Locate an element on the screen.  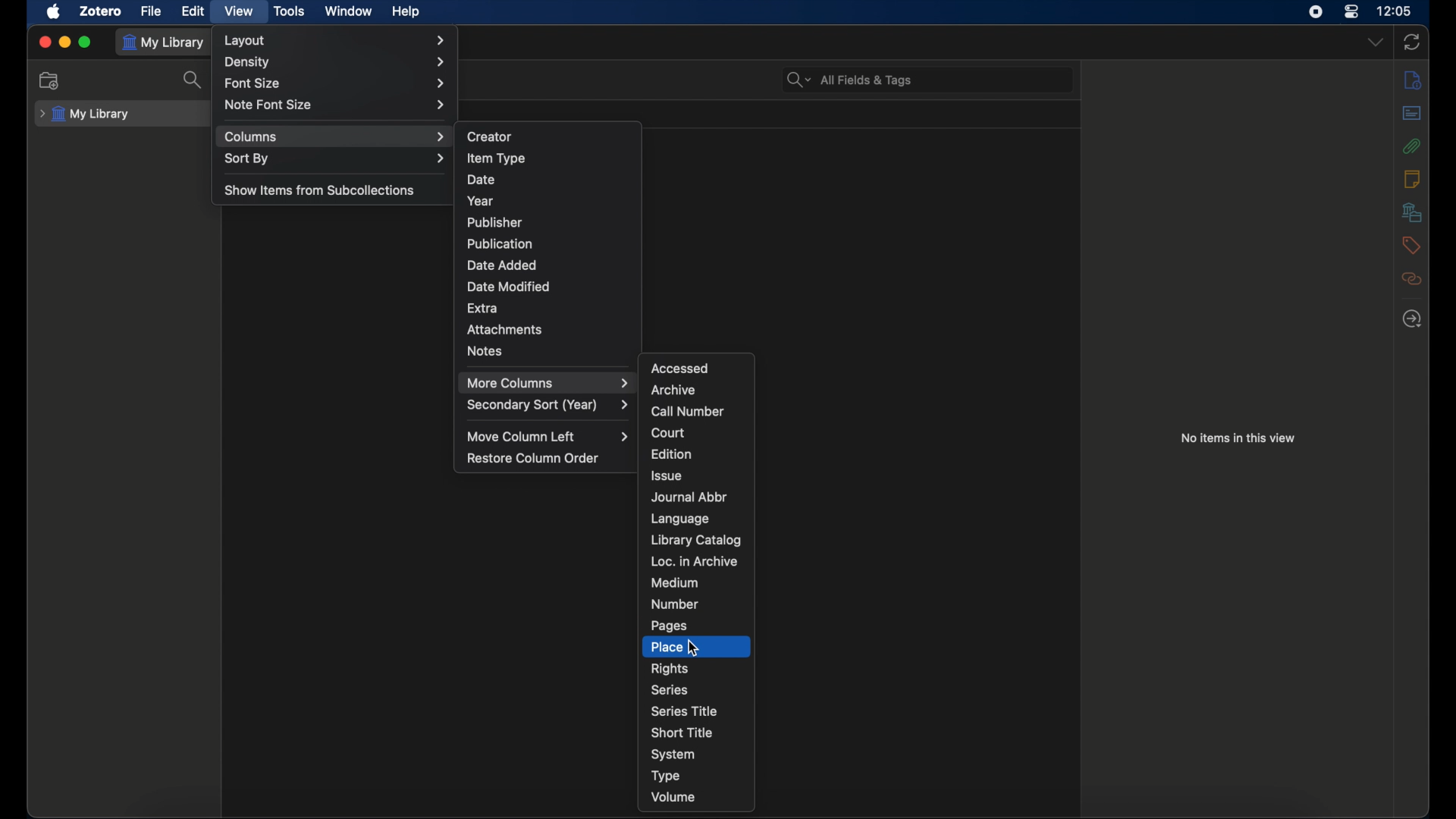
help is located at coordinates (406, 12).